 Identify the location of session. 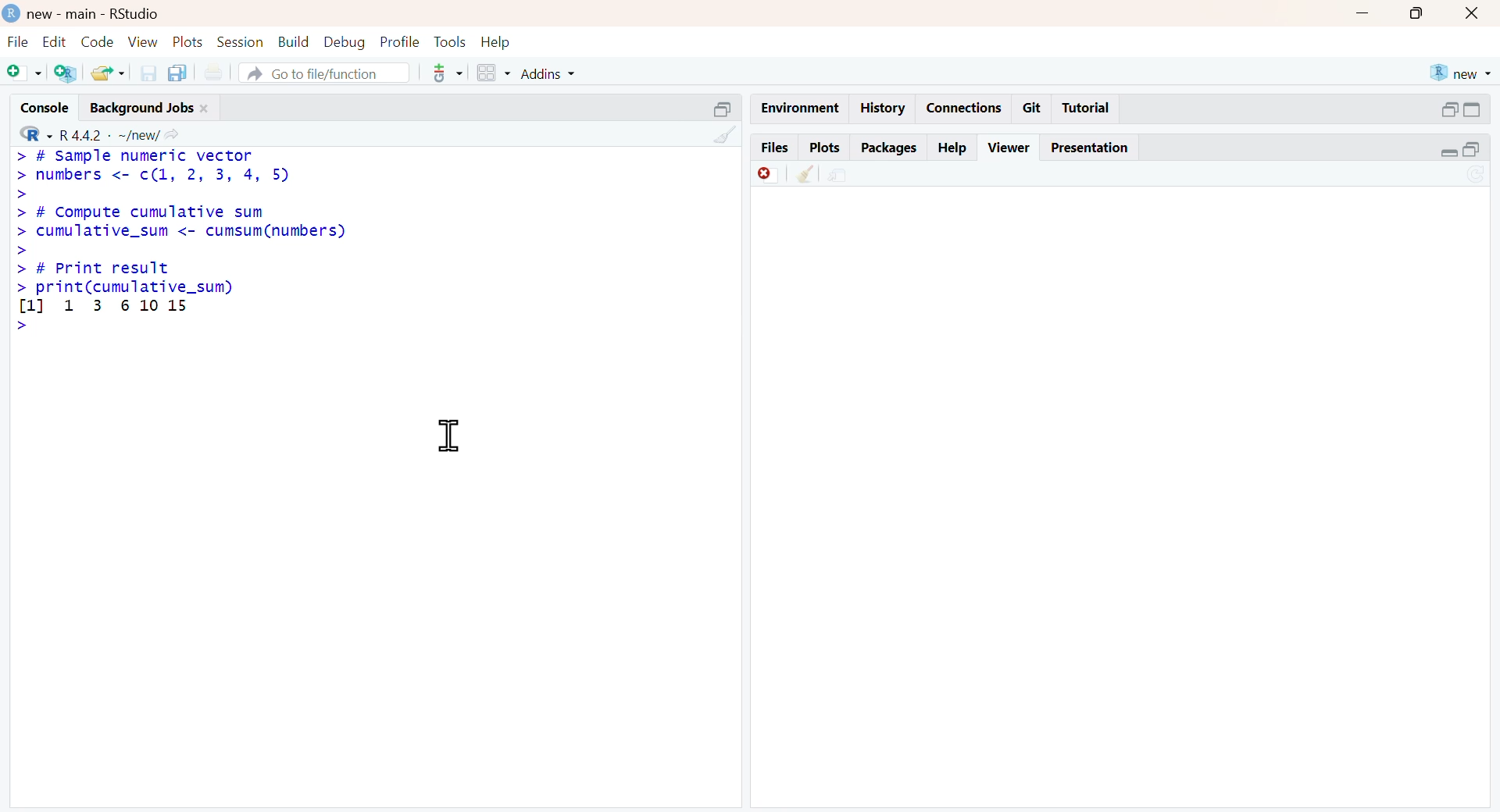
(241, 41).